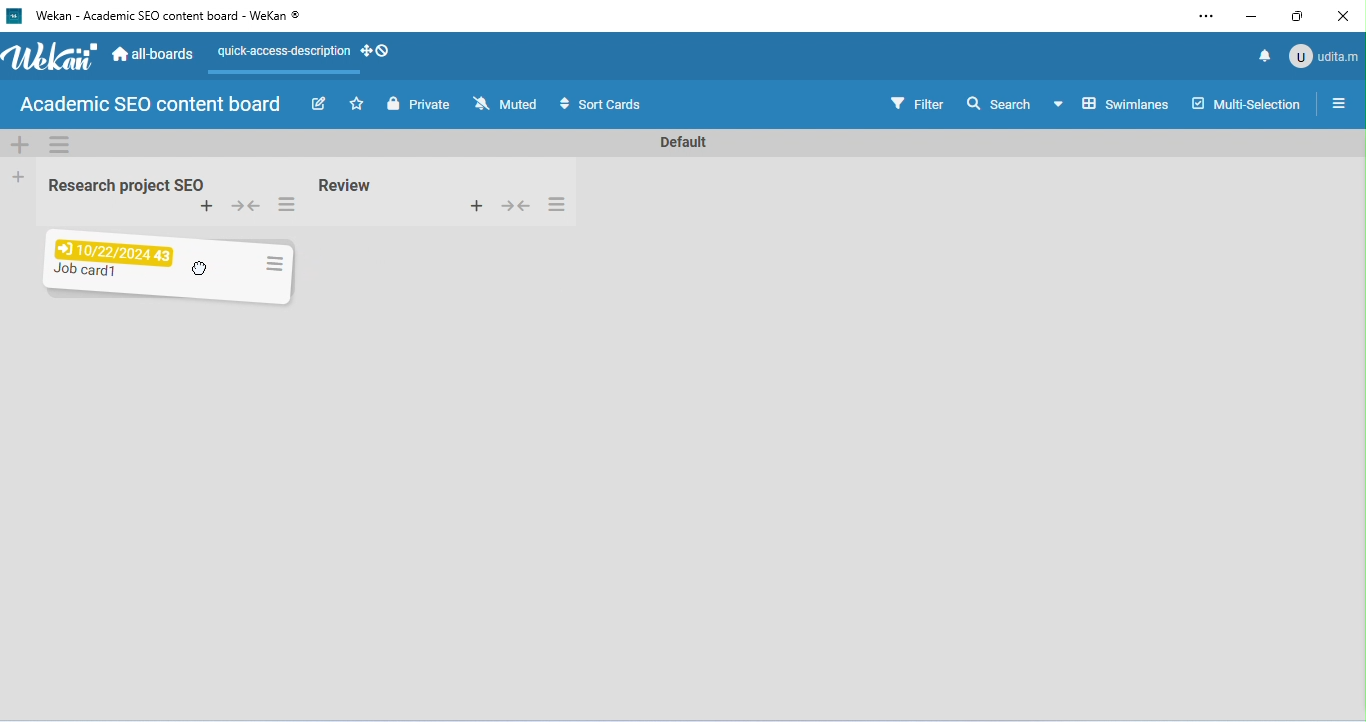  I want to click on add card to top of list, so click(207, 207).